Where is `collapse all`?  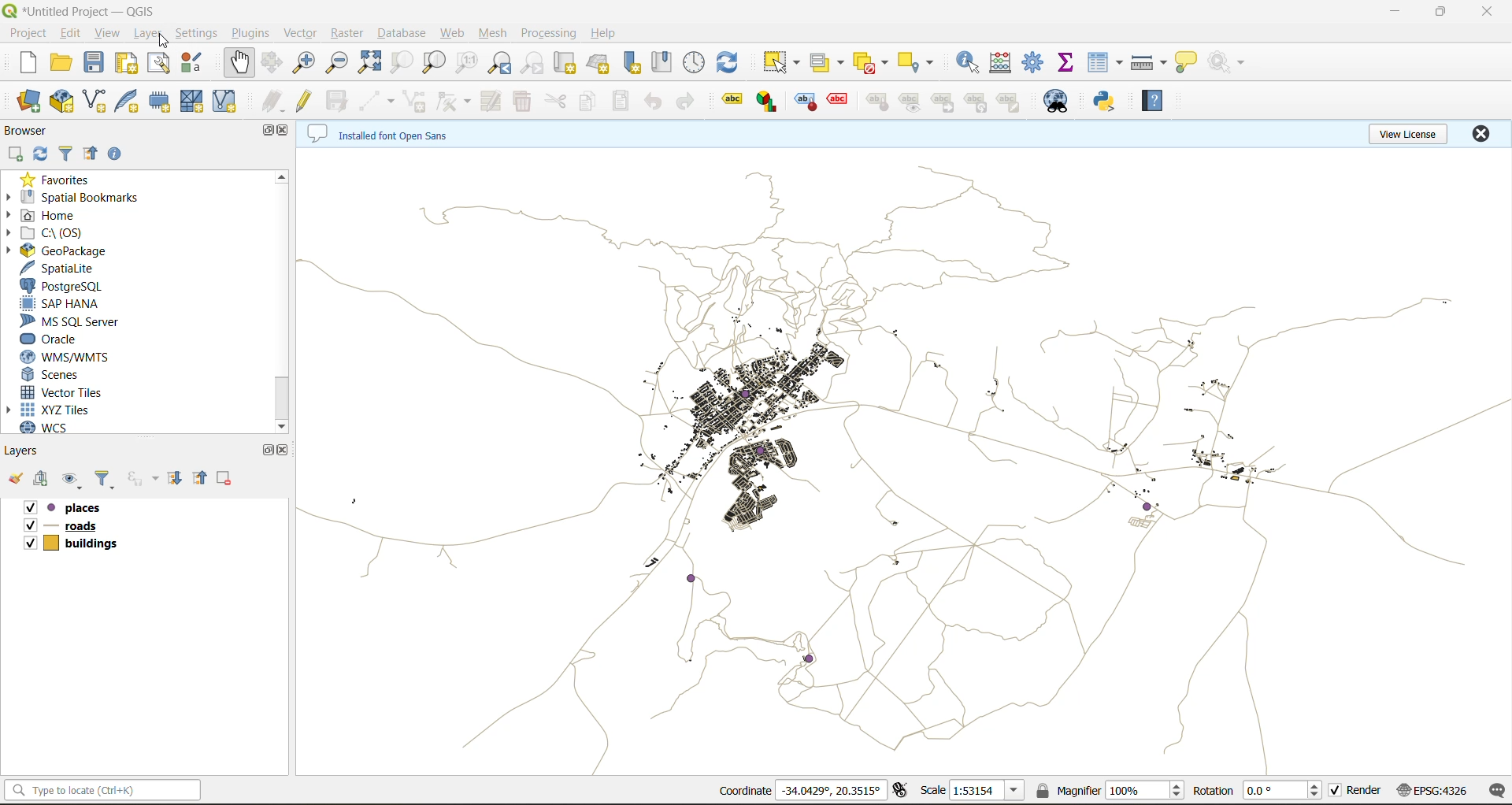
collapse all is located at coordinates (202, 479).